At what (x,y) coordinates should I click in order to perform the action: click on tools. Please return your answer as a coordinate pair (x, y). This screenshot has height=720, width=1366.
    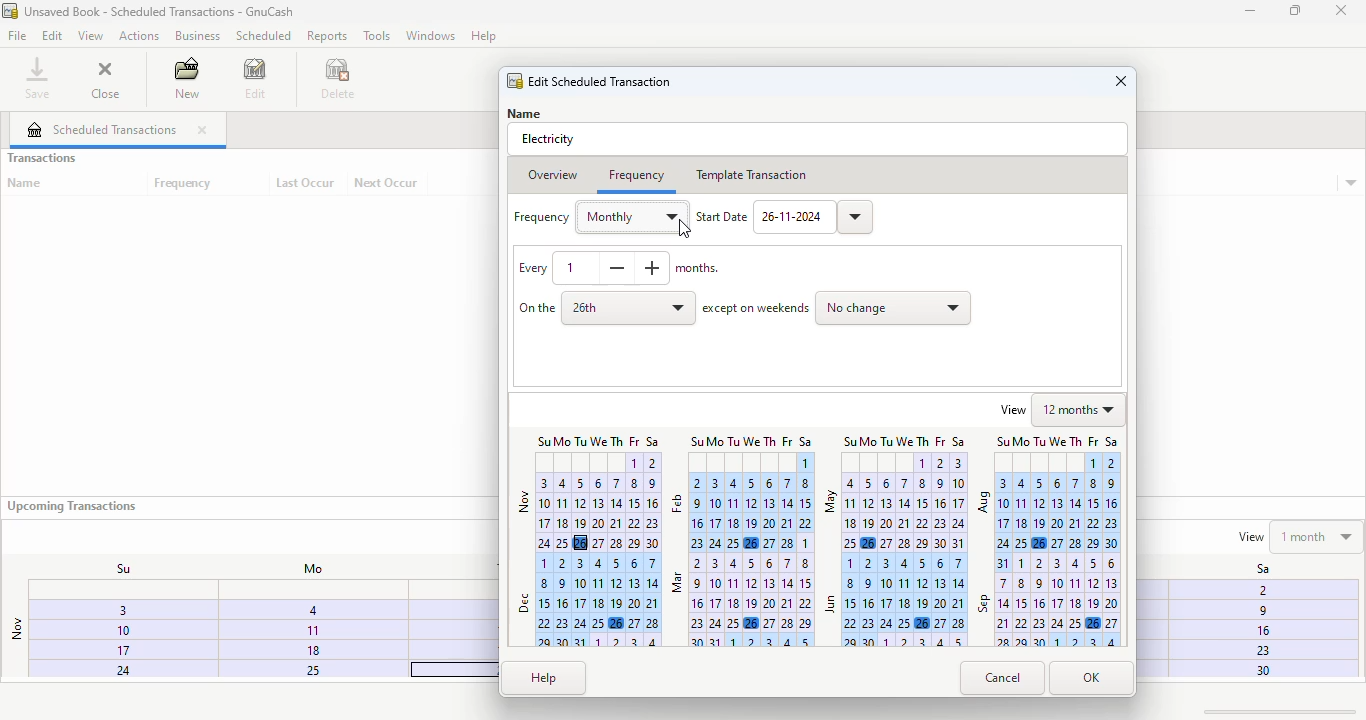
    Looking at the image, I should click on (377, 35).